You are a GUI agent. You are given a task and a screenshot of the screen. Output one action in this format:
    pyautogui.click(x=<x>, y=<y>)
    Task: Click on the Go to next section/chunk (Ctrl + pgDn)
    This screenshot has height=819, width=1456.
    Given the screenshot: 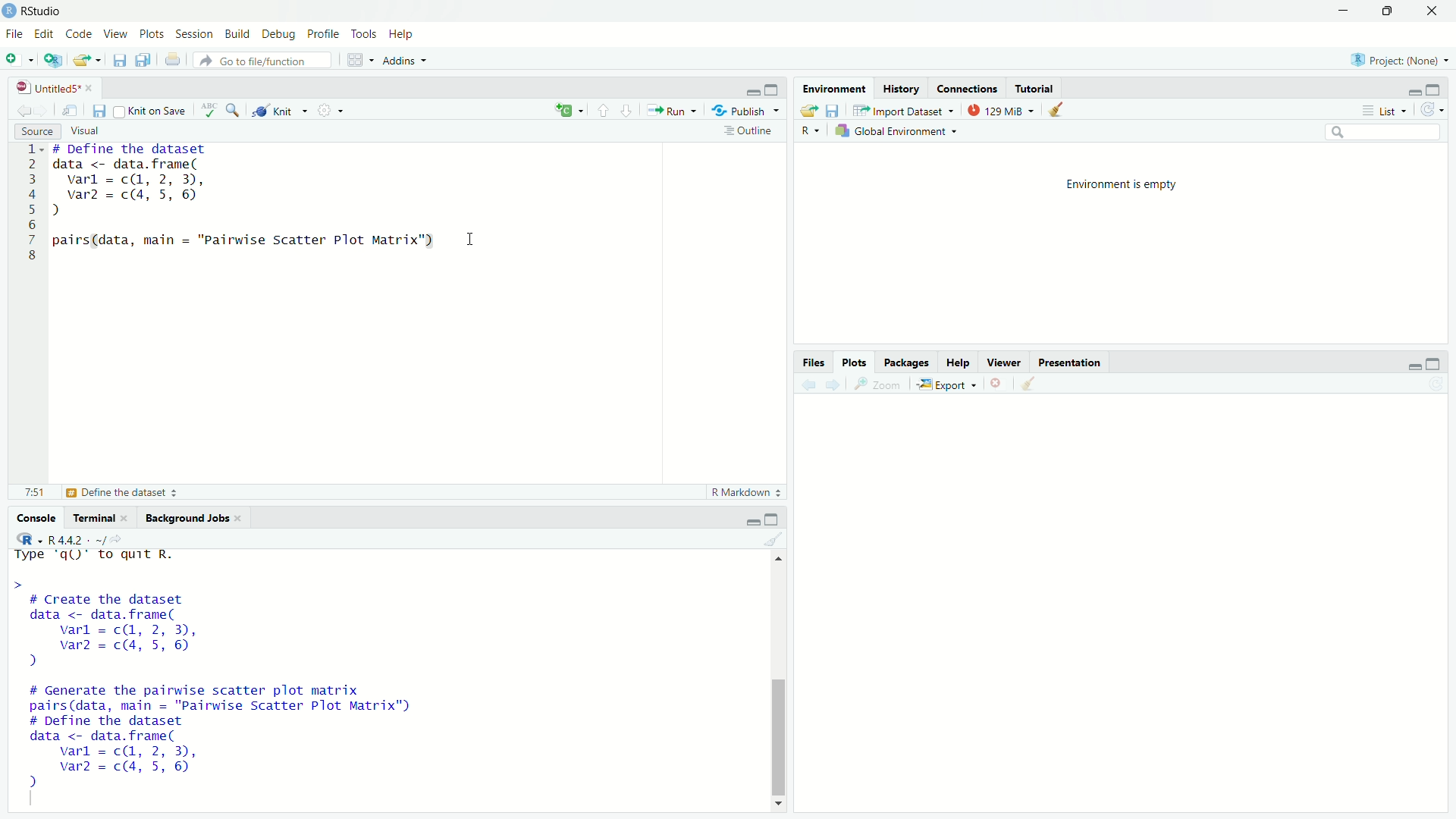 What is the action you would take?
    pyautogui.click(x=626, y=110)
    